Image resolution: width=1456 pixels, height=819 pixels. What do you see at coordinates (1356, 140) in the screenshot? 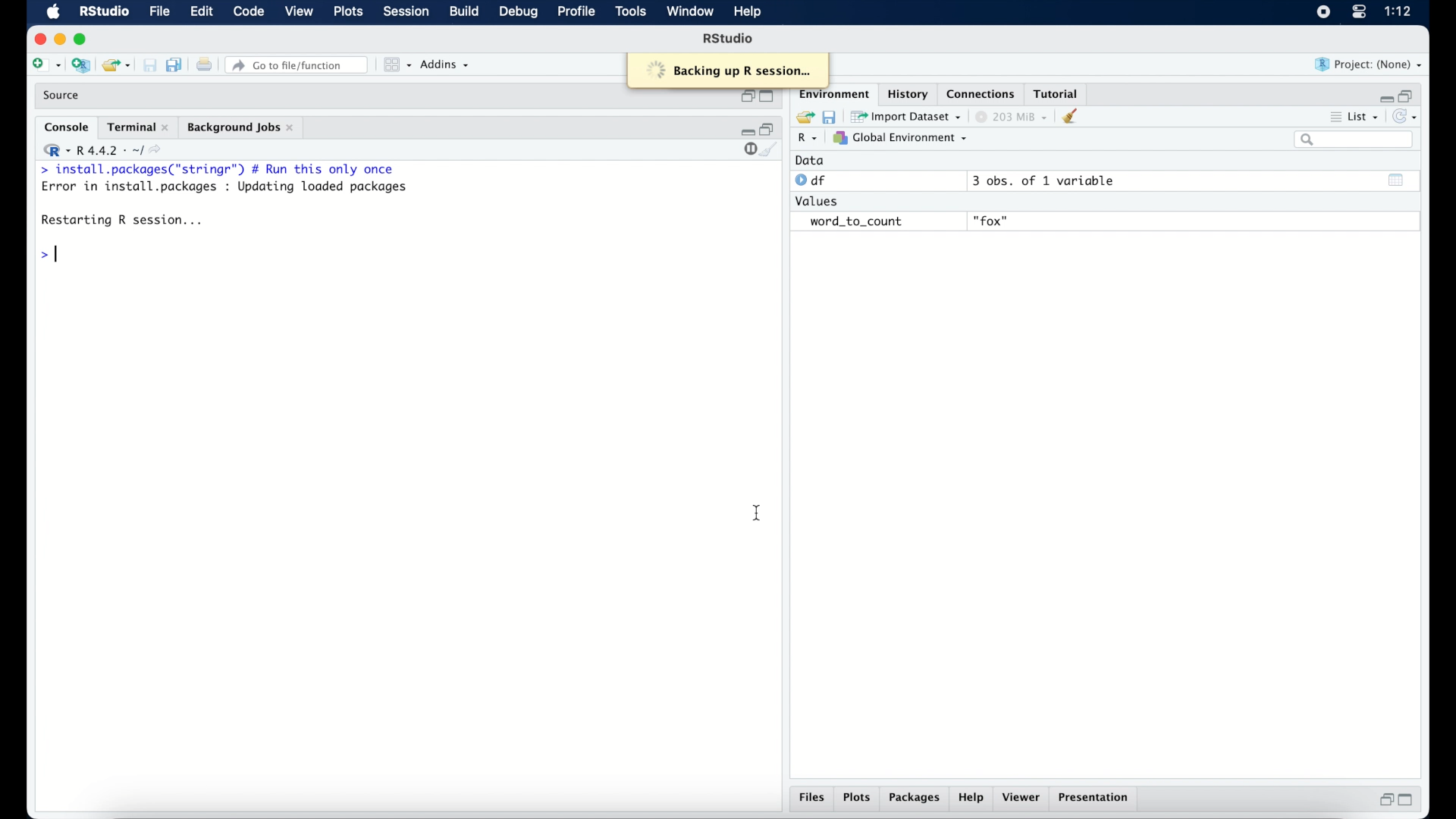
I see `search bar` at bounding box center [1356, 140].